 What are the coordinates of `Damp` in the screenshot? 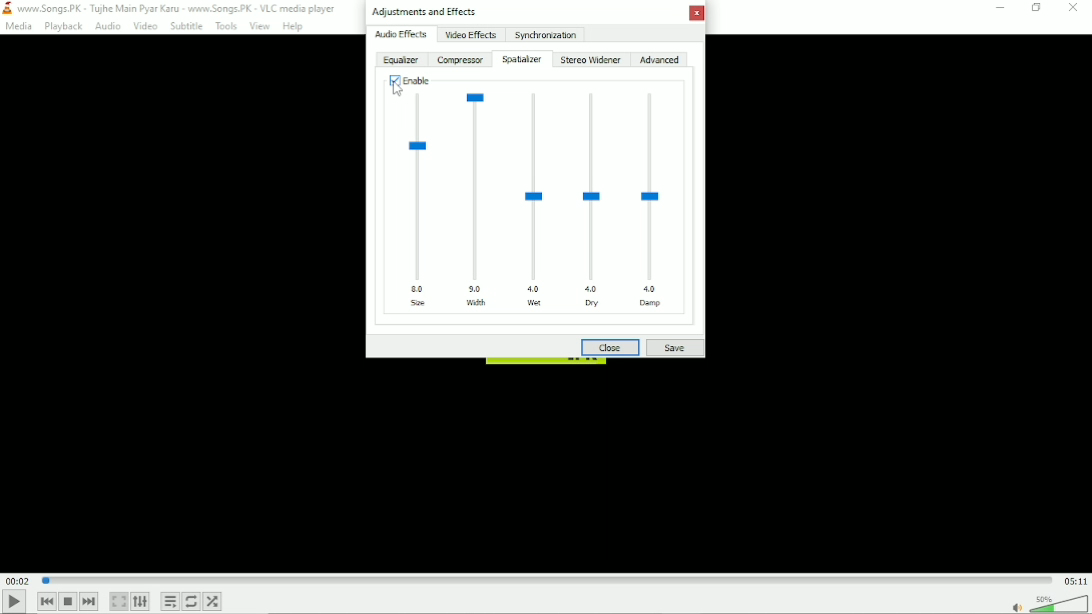 It's located at (657, 200).